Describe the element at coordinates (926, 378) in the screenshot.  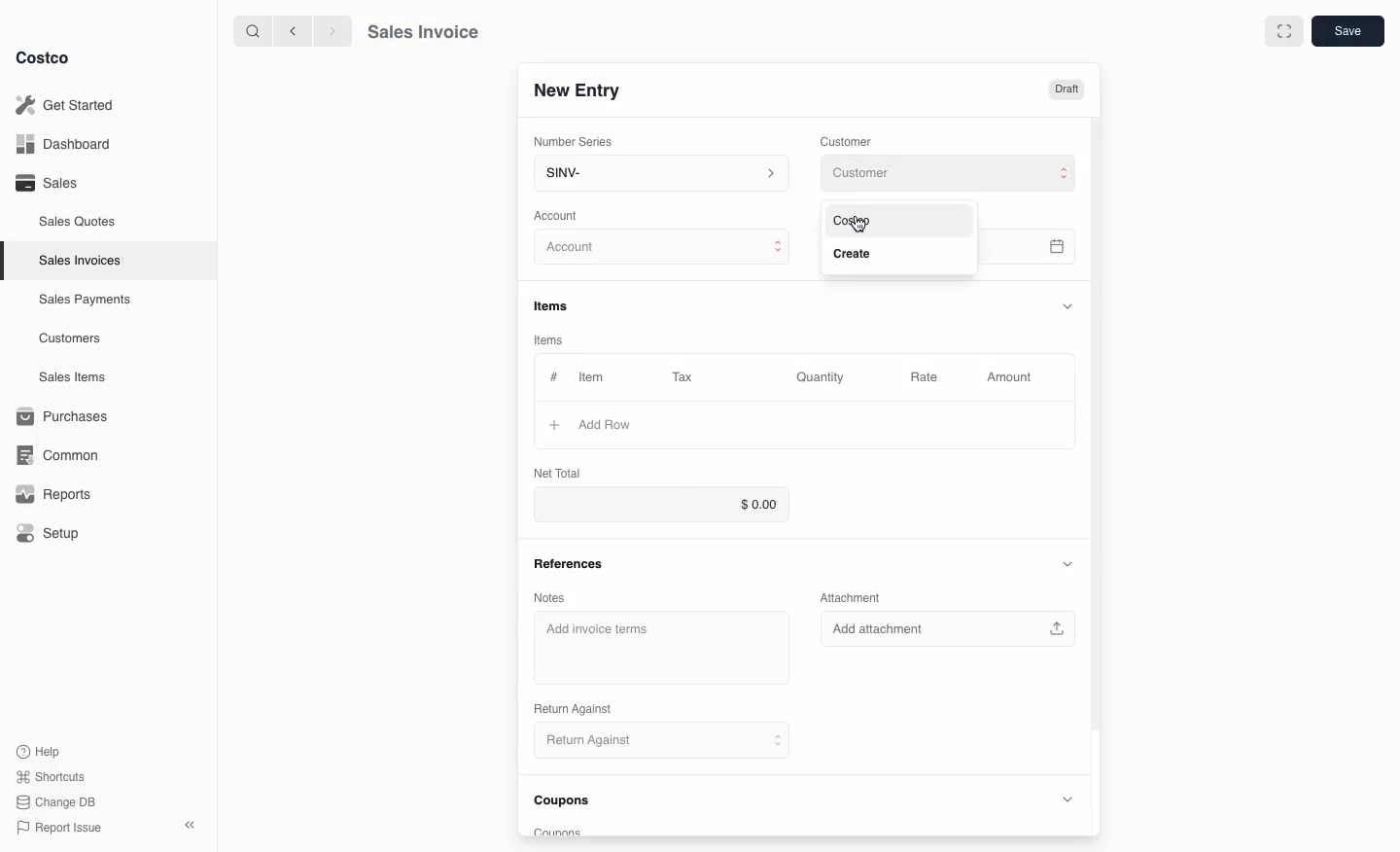
I see `Rate` at that location.